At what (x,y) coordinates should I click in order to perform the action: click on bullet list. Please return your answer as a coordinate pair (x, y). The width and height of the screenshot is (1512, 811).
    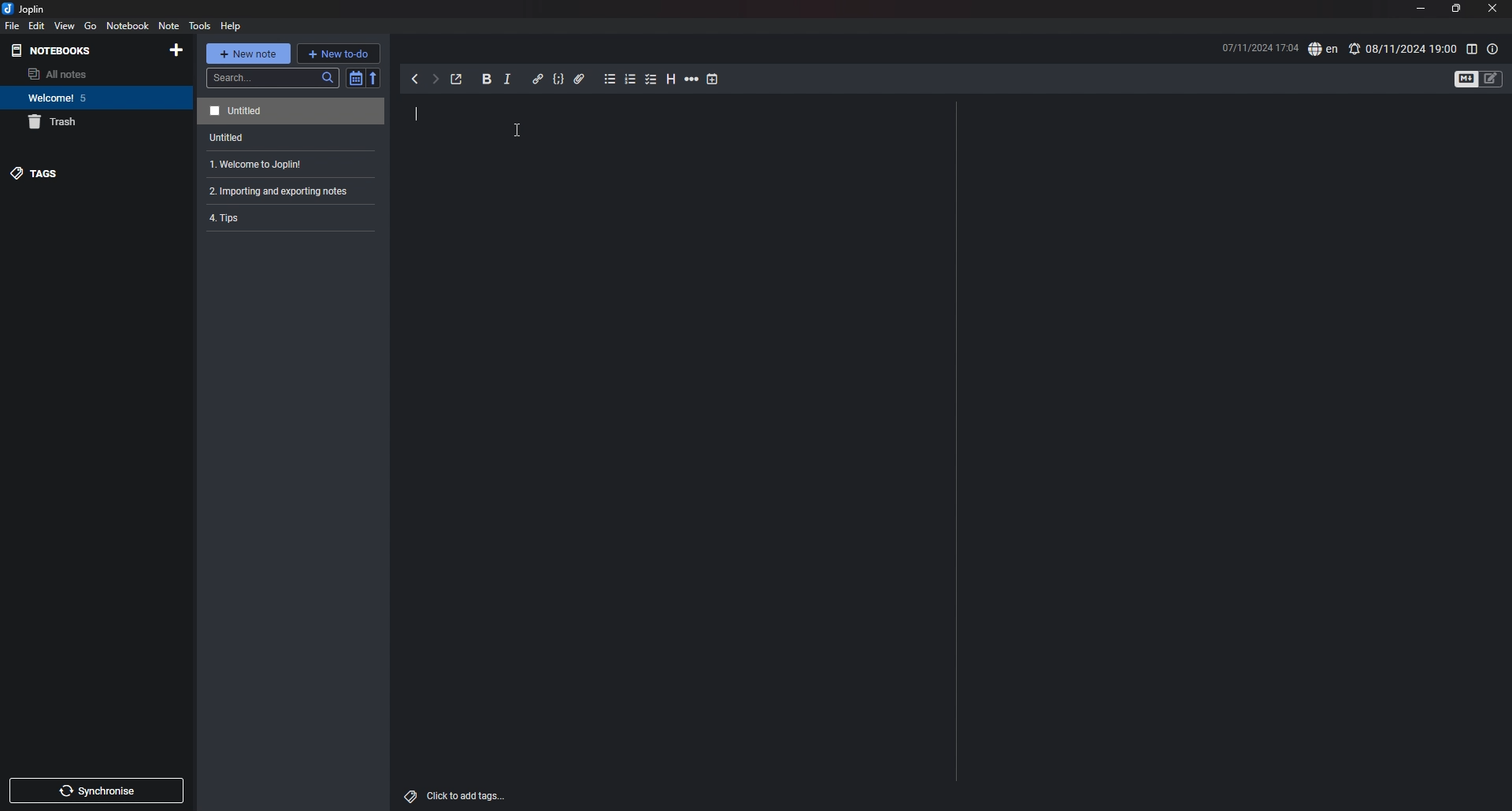
    Looking at the image, I should click on (610, 80).